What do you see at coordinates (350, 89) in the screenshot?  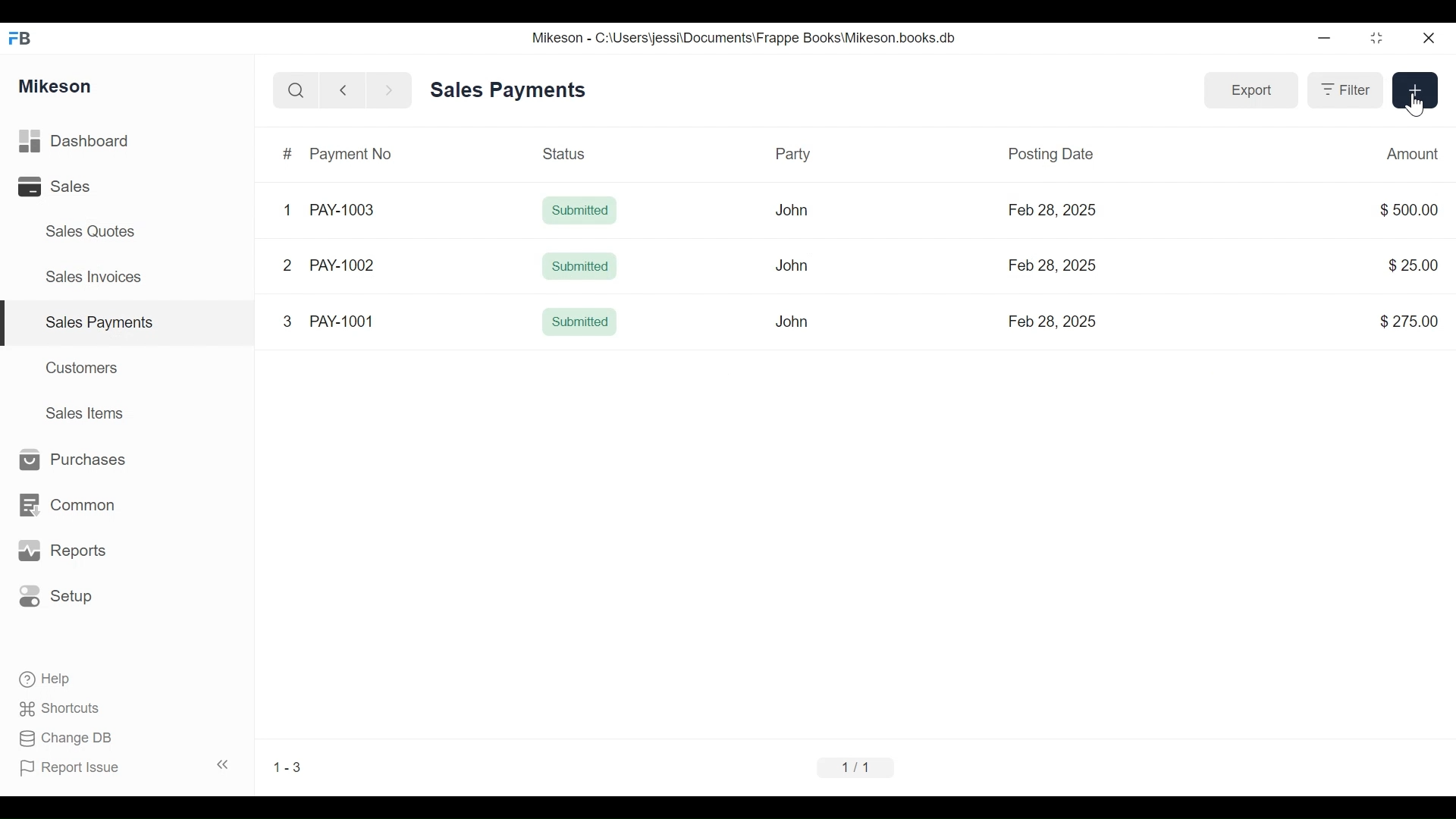 I see `Back` at bounding box center [350, 89].